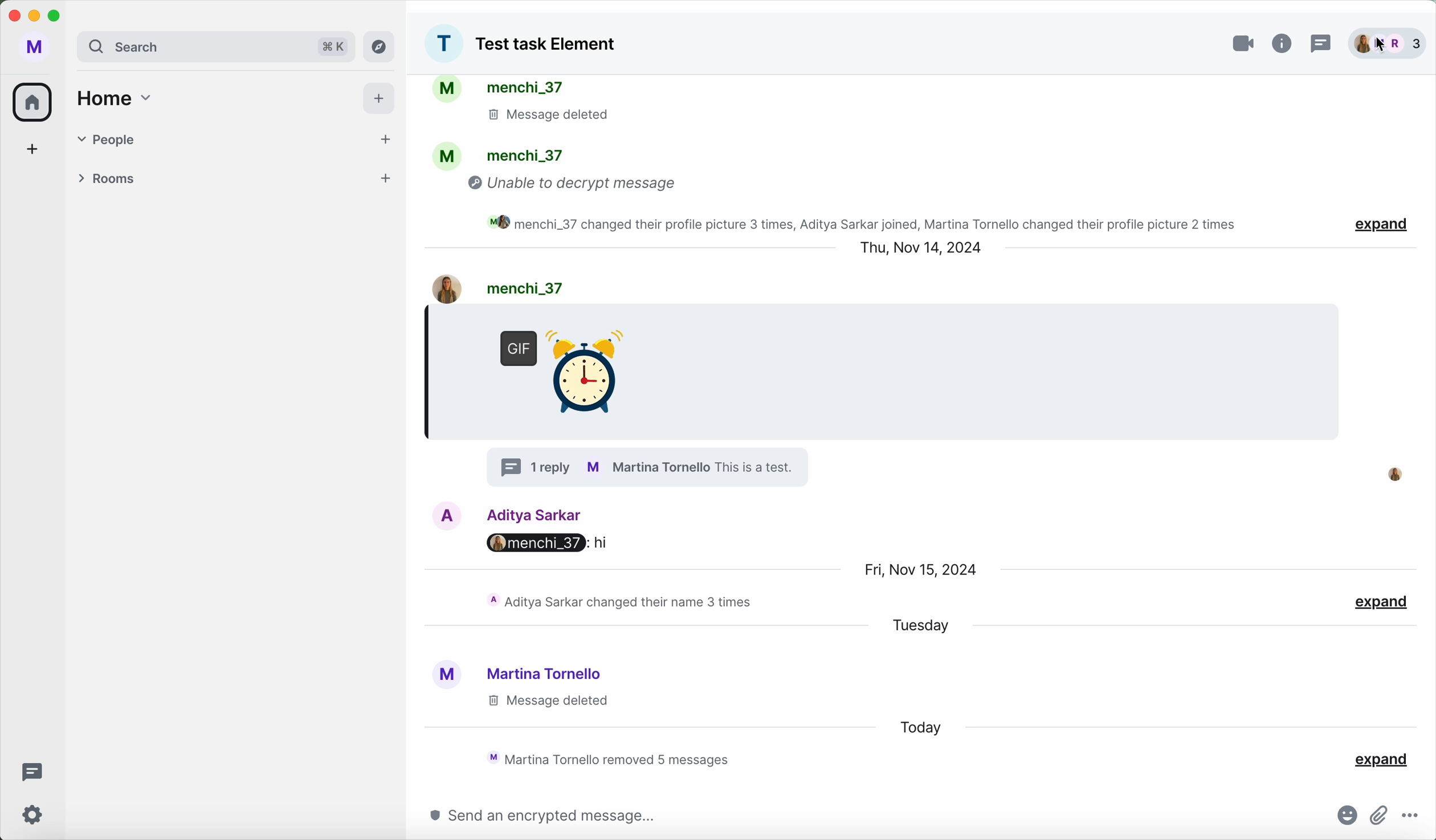  What do you see at coordinates (1381, 603) in the screenshot?
I see `expand` at bounding box center [1381, 603].